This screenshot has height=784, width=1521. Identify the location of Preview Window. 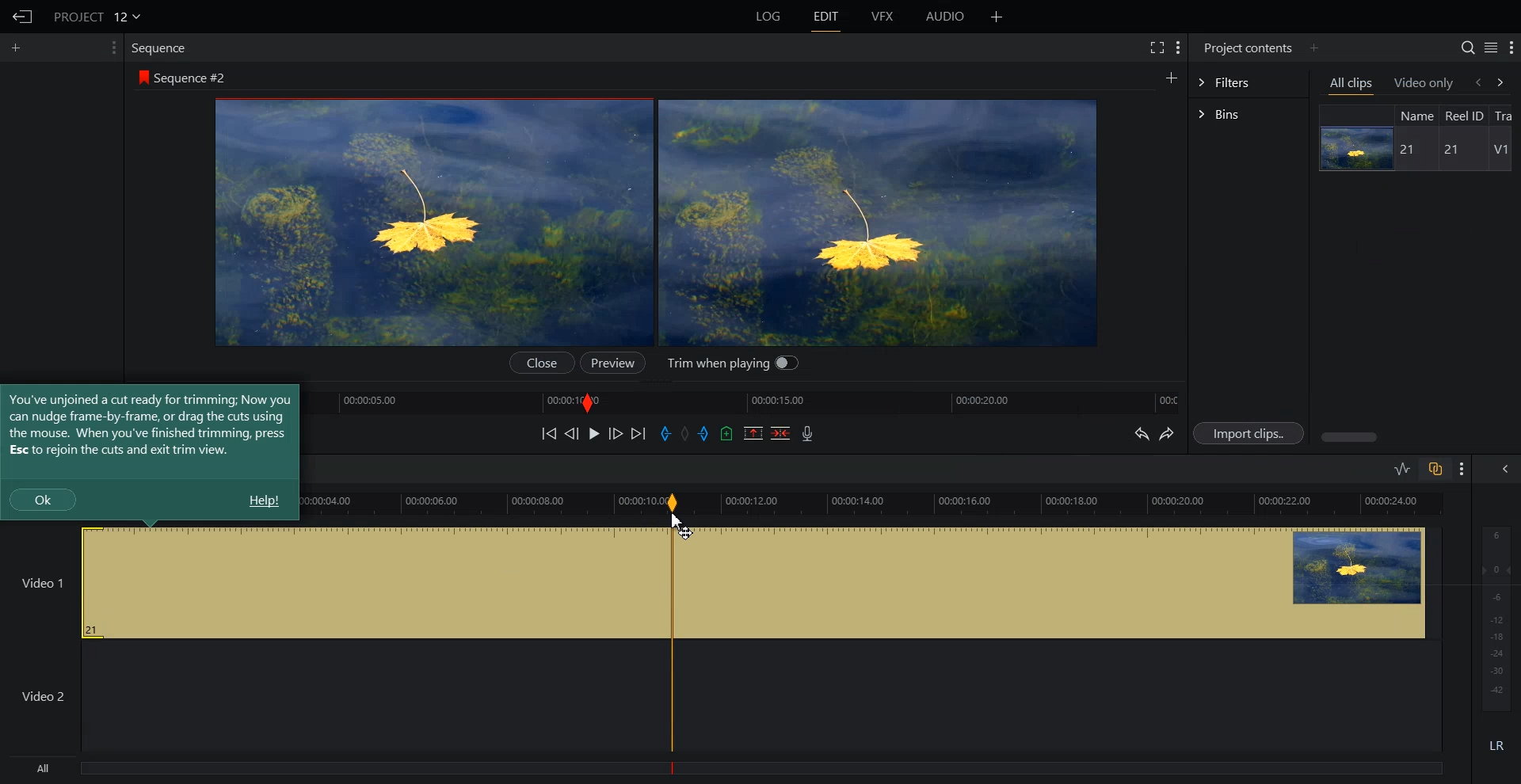
(876, 222).